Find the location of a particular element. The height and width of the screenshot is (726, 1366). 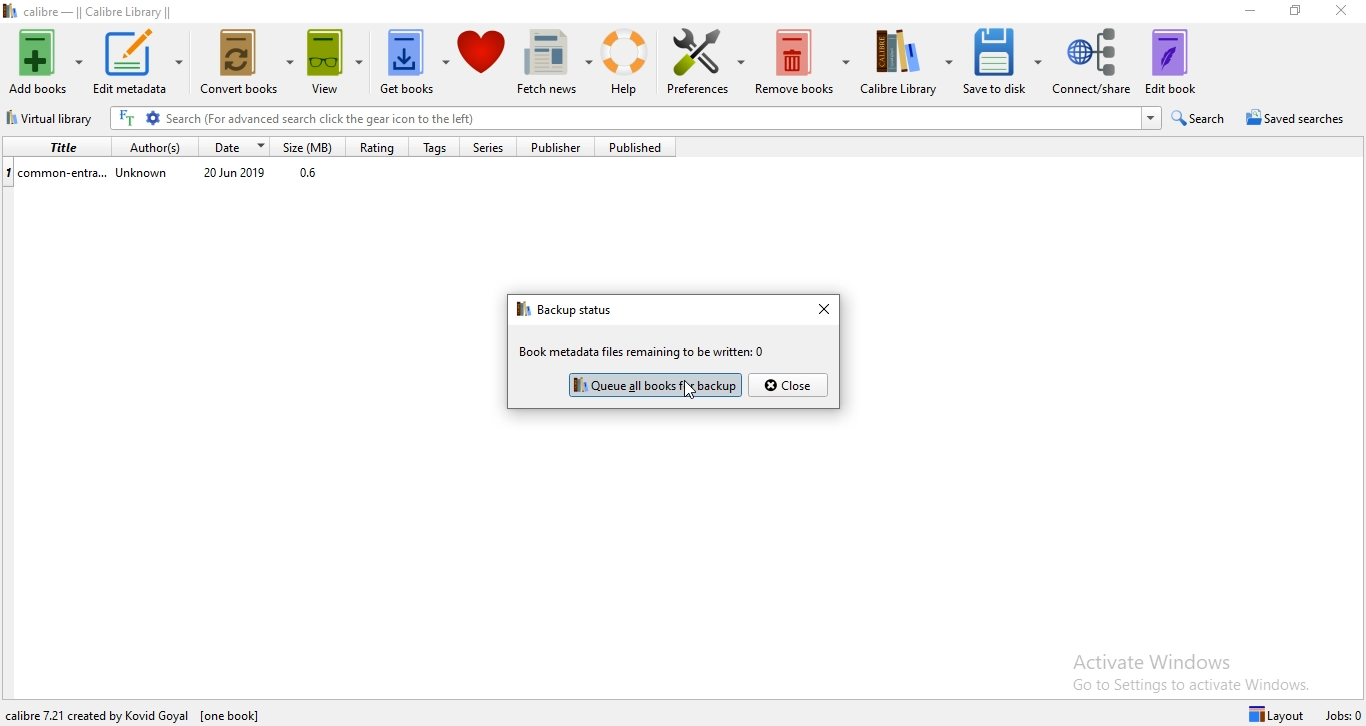

book metadata files remaining to be written: 0 is located at coordinates (643, 353).